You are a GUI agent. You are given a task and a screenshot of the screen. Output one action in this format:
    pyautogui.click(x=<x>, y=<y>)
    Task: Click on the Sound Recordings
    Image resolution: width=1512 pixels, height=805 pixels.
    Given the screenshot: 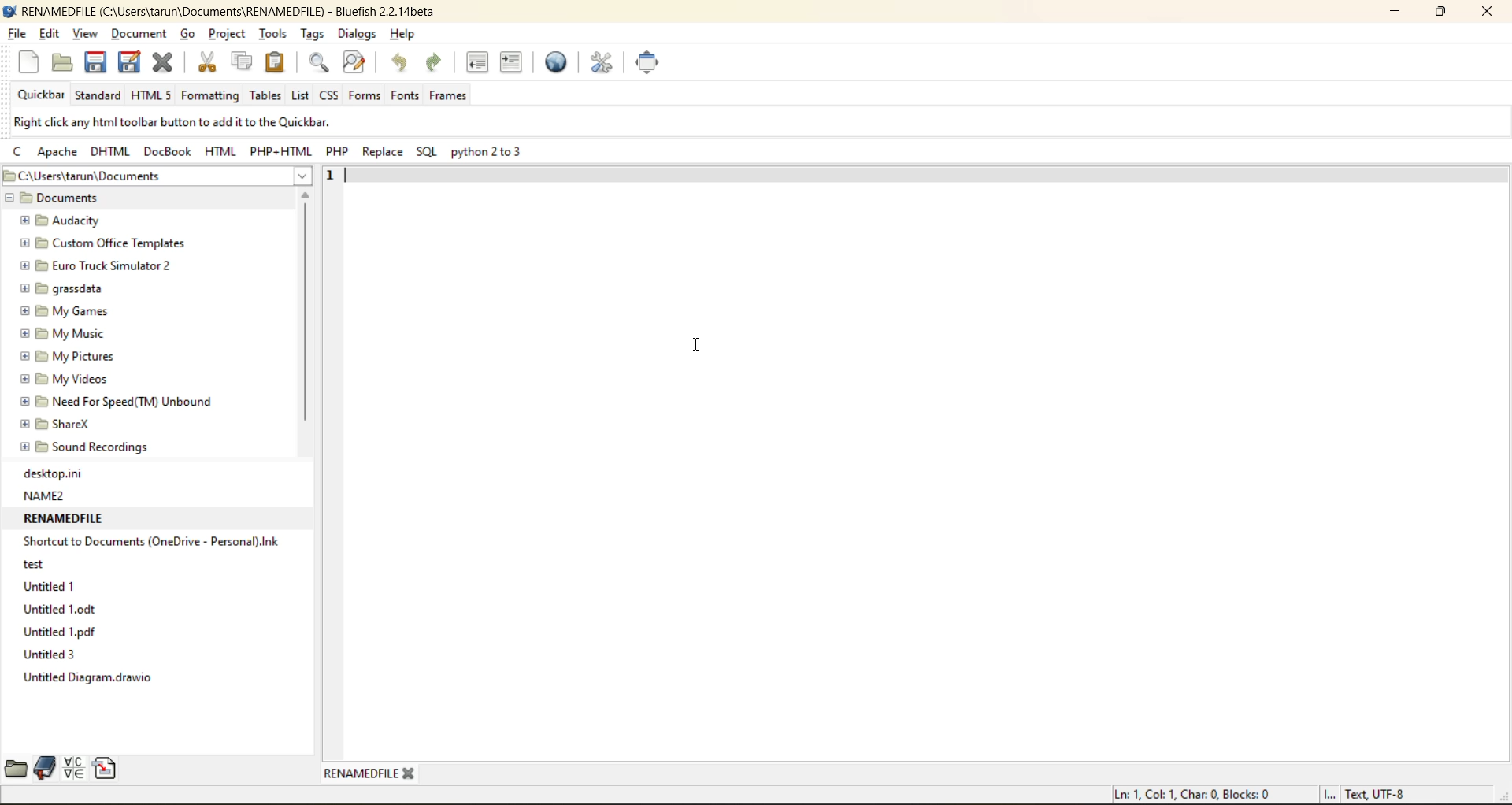 What is the action you would take?
    pyautogui.click(x=83, y=446)
    